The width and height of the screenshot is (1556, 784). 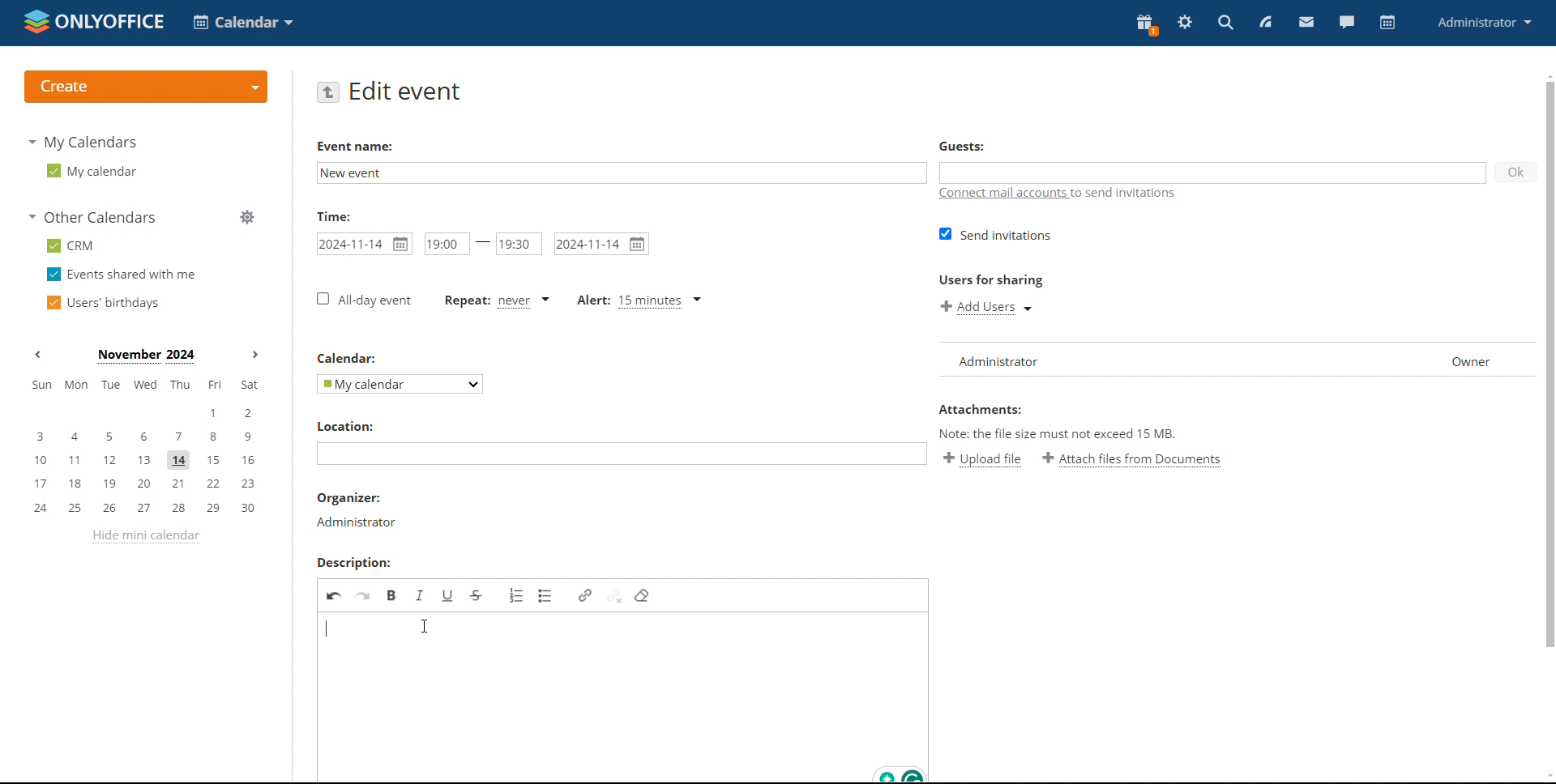 I want to click on event name, so click(x=358, y=143).